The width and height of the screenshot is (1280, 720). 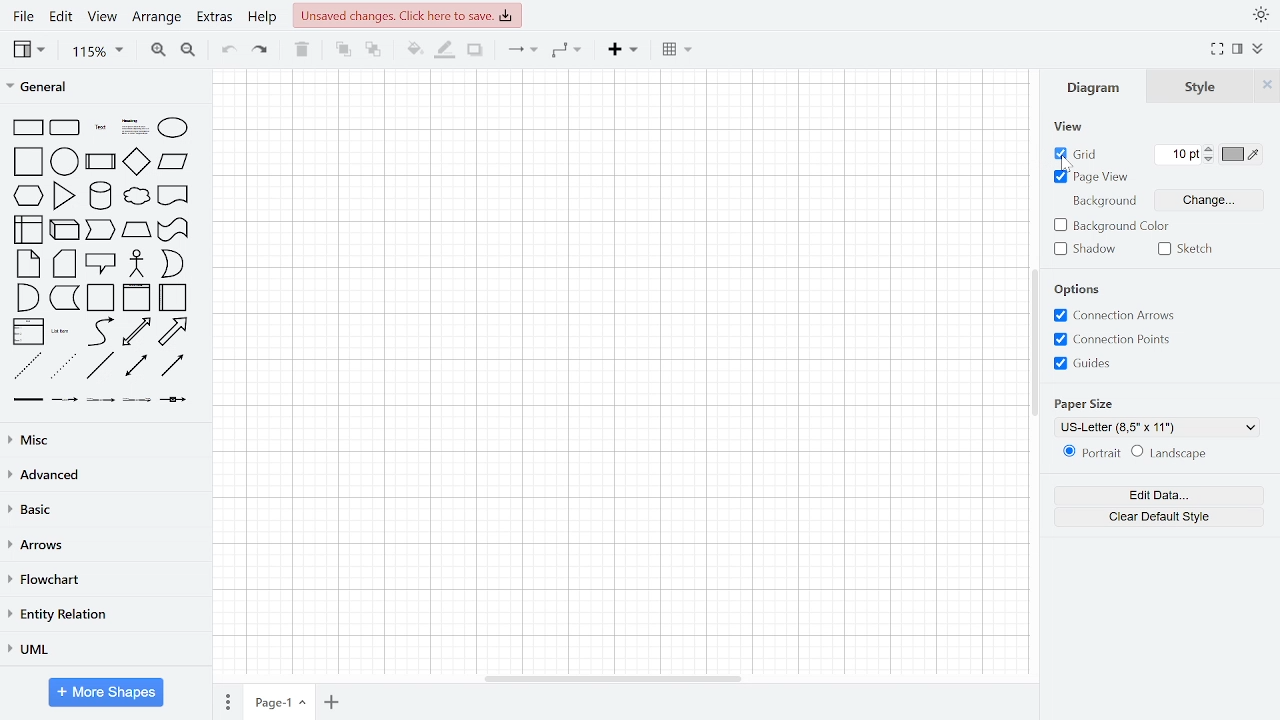 I want to click on rectangle, so click(x=30, y=128).